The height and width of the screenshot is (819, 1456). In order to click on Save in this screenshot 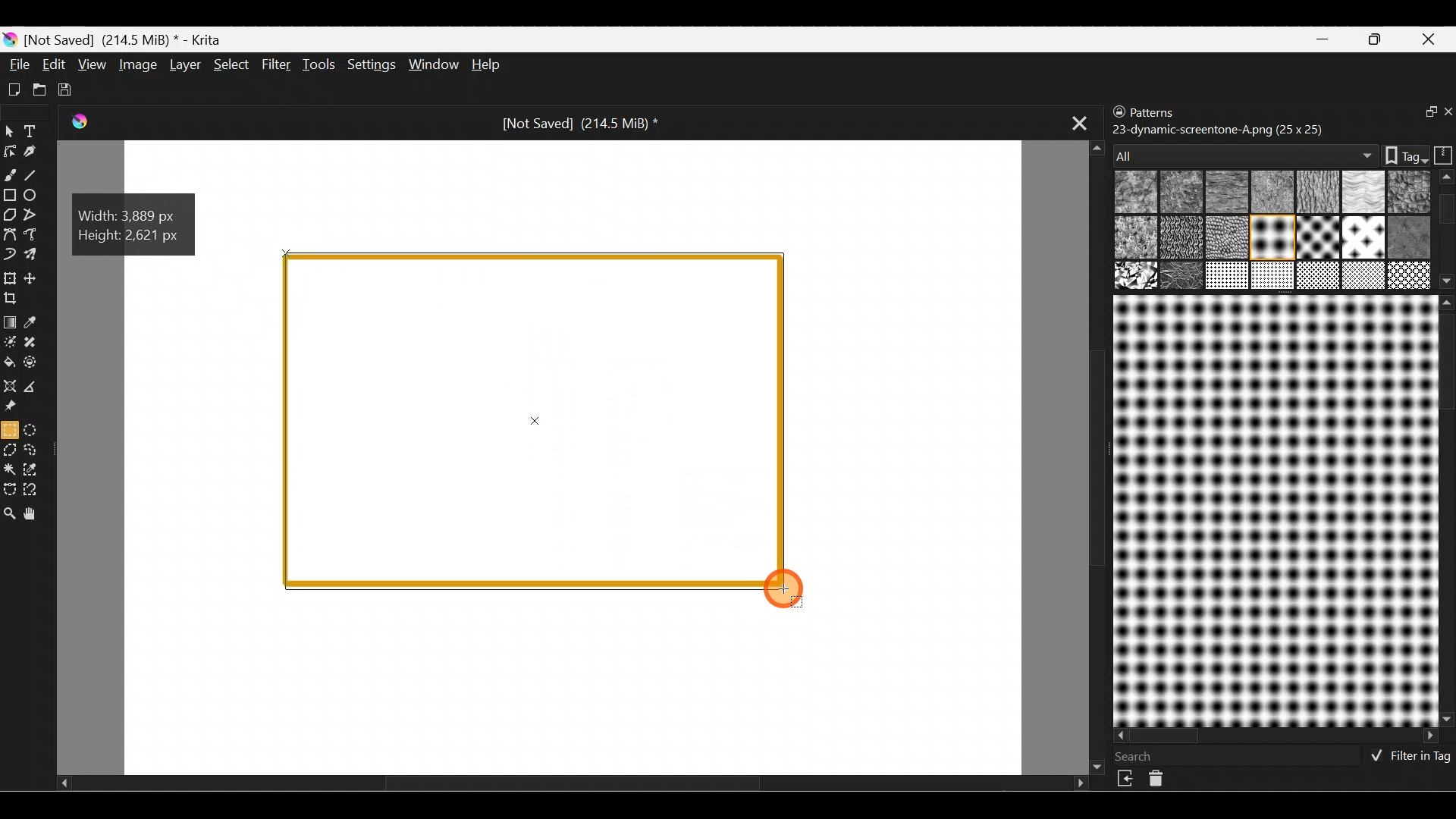, I will do `click(68, 89)`.